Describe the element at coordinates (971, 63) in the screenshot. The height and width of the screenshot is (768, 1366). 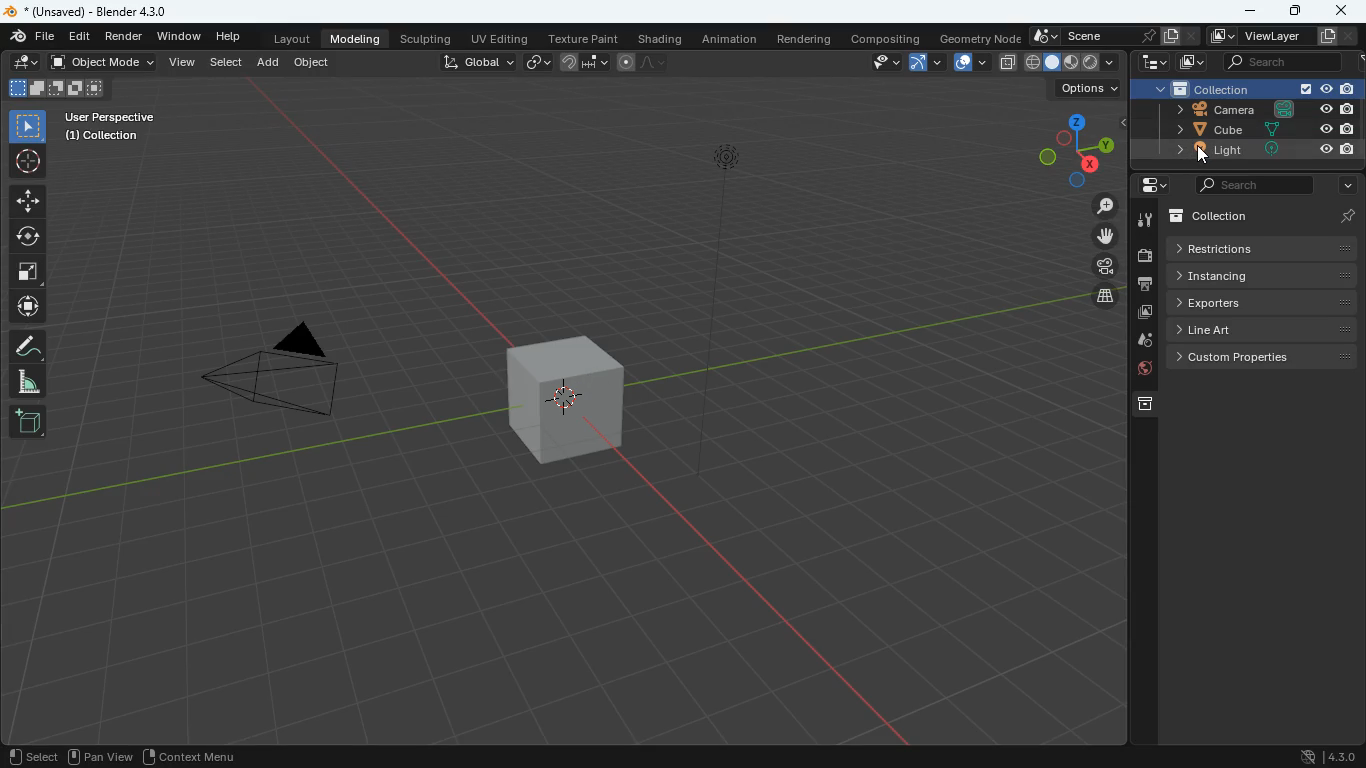
I see `overlap` at that location.